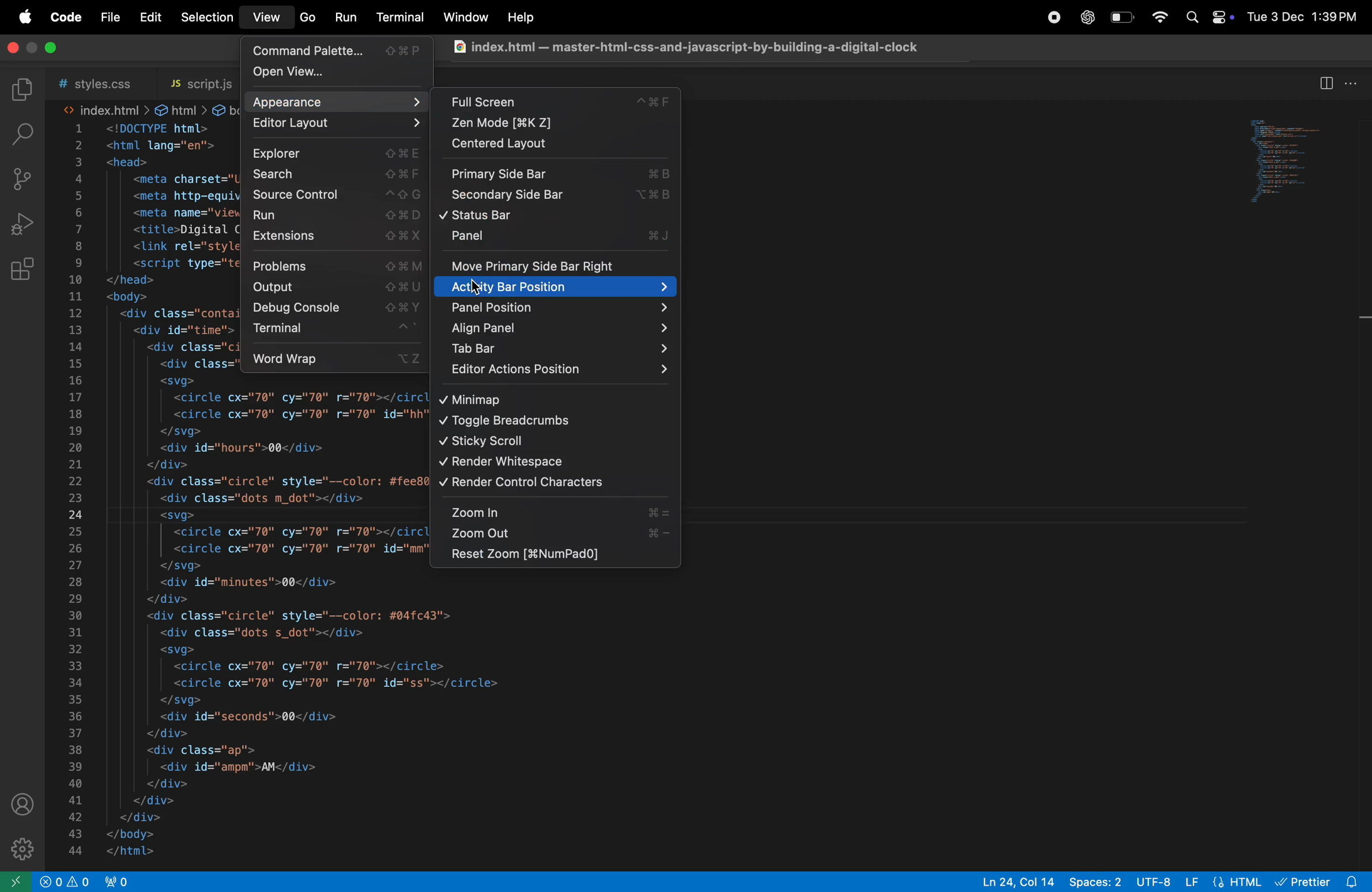  Describe the element at coordinates (331, 195) in the screenshot. I see `source control` at that location.